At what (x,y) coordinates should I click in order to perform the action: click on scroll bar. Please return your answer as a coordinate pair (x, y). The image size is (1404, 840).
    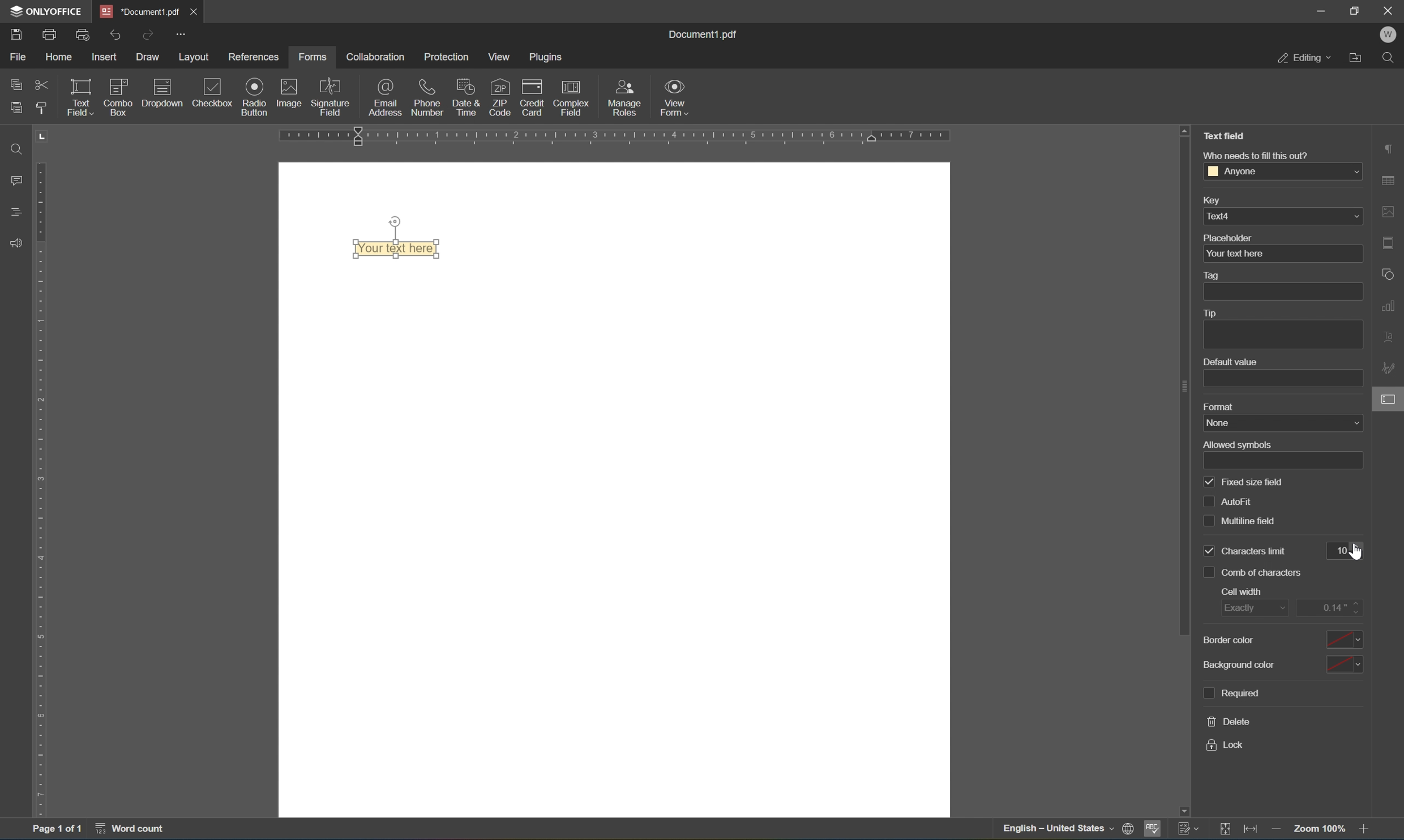
    Looking at the image, I should click on (1185, 385).